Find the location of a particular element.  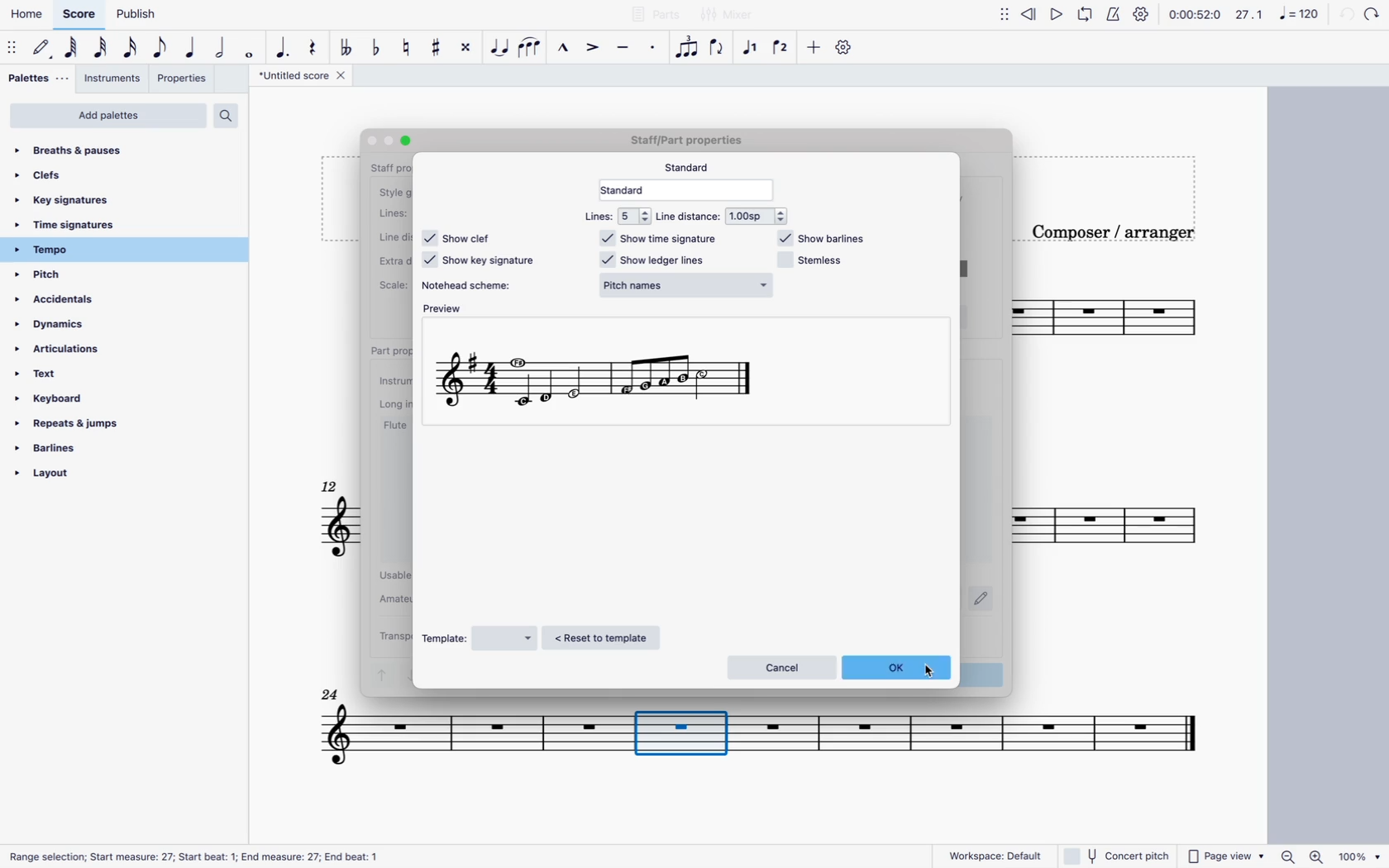

new scale format is located at coordinates (600, 380).